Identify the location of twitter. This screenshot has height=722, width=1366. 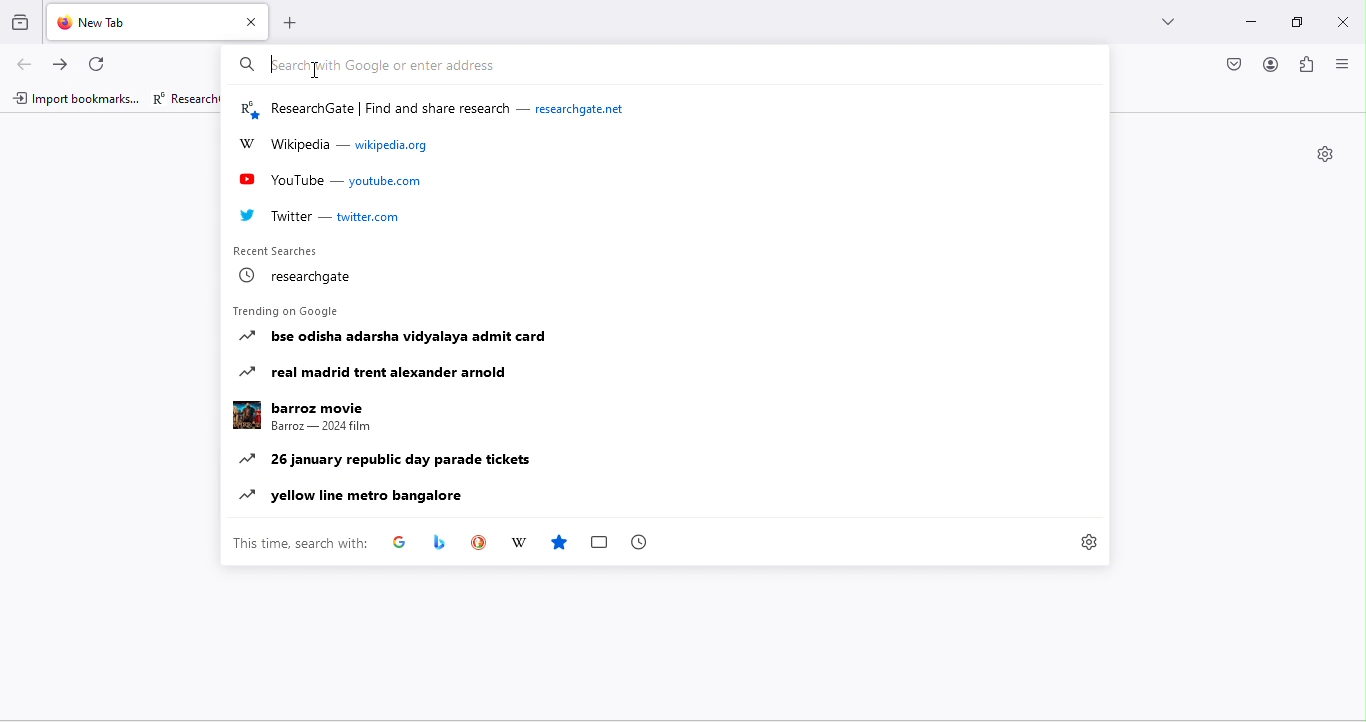
(323, 219).